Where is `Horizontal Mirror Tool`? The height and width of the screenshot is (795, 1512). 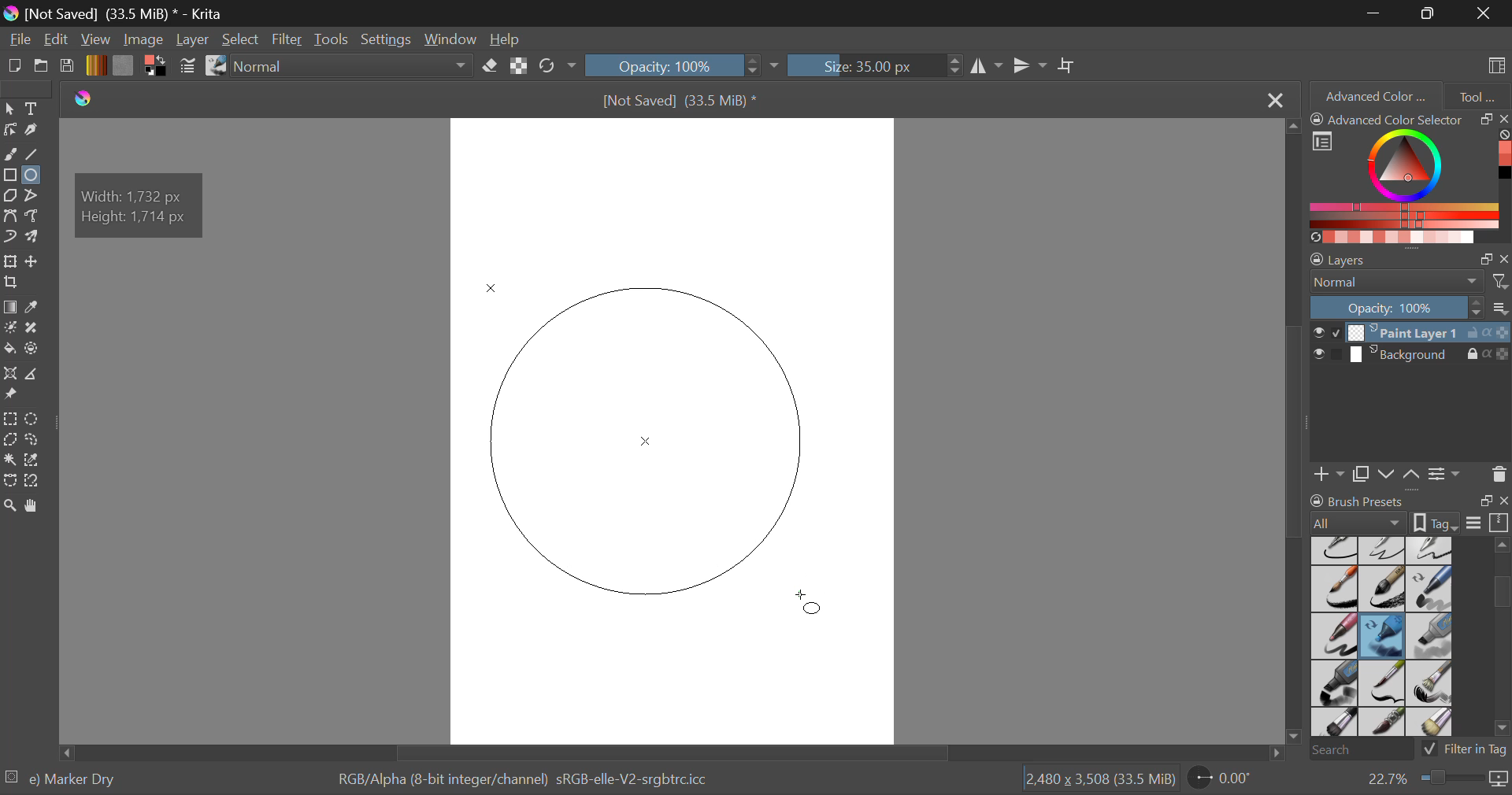
Horizontal Mirror Tool is located at coordinates (986, 65).